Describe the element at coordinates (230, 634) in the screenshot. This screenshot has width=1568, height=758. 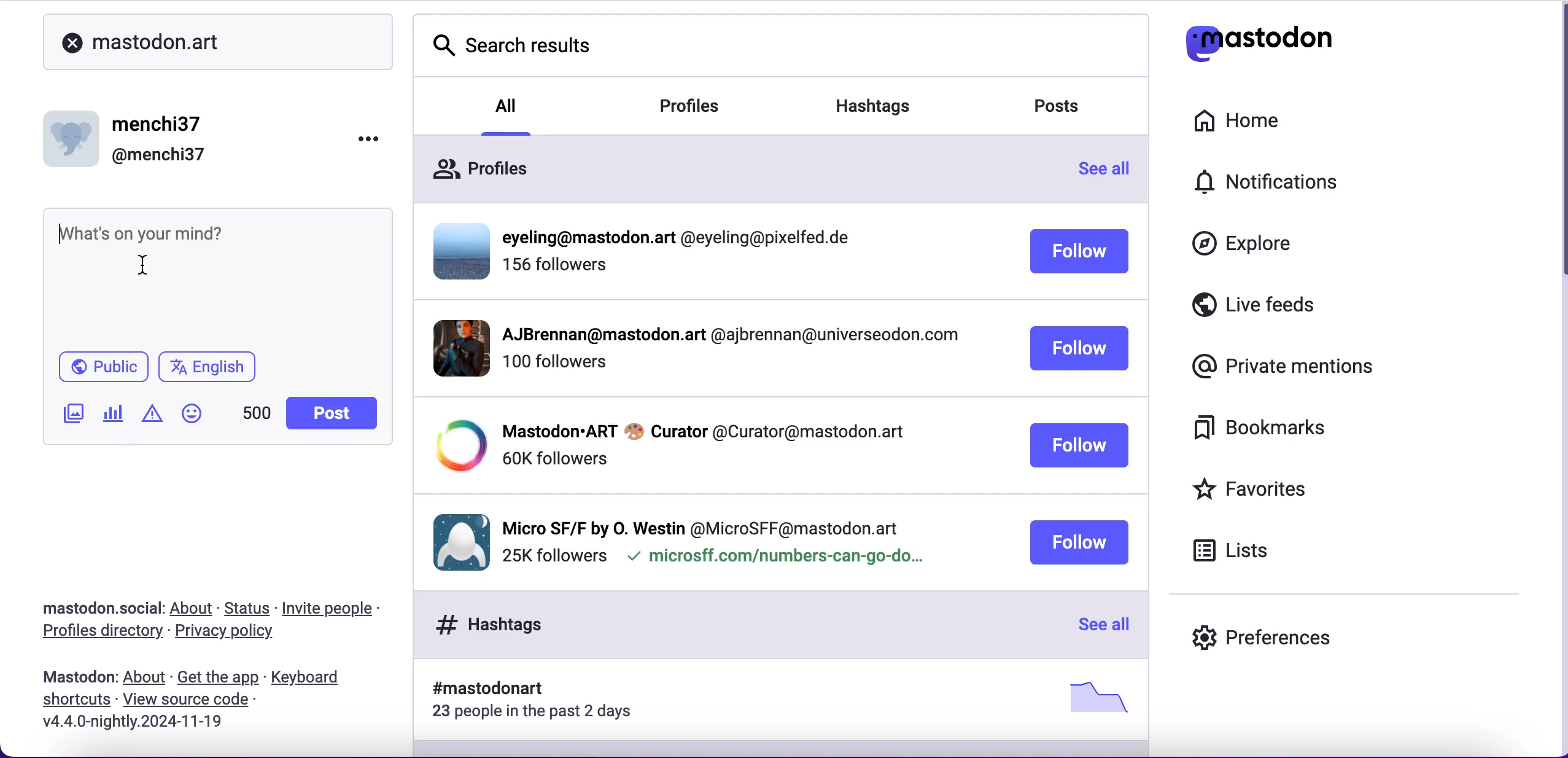
I see `privacy policy` at that location.